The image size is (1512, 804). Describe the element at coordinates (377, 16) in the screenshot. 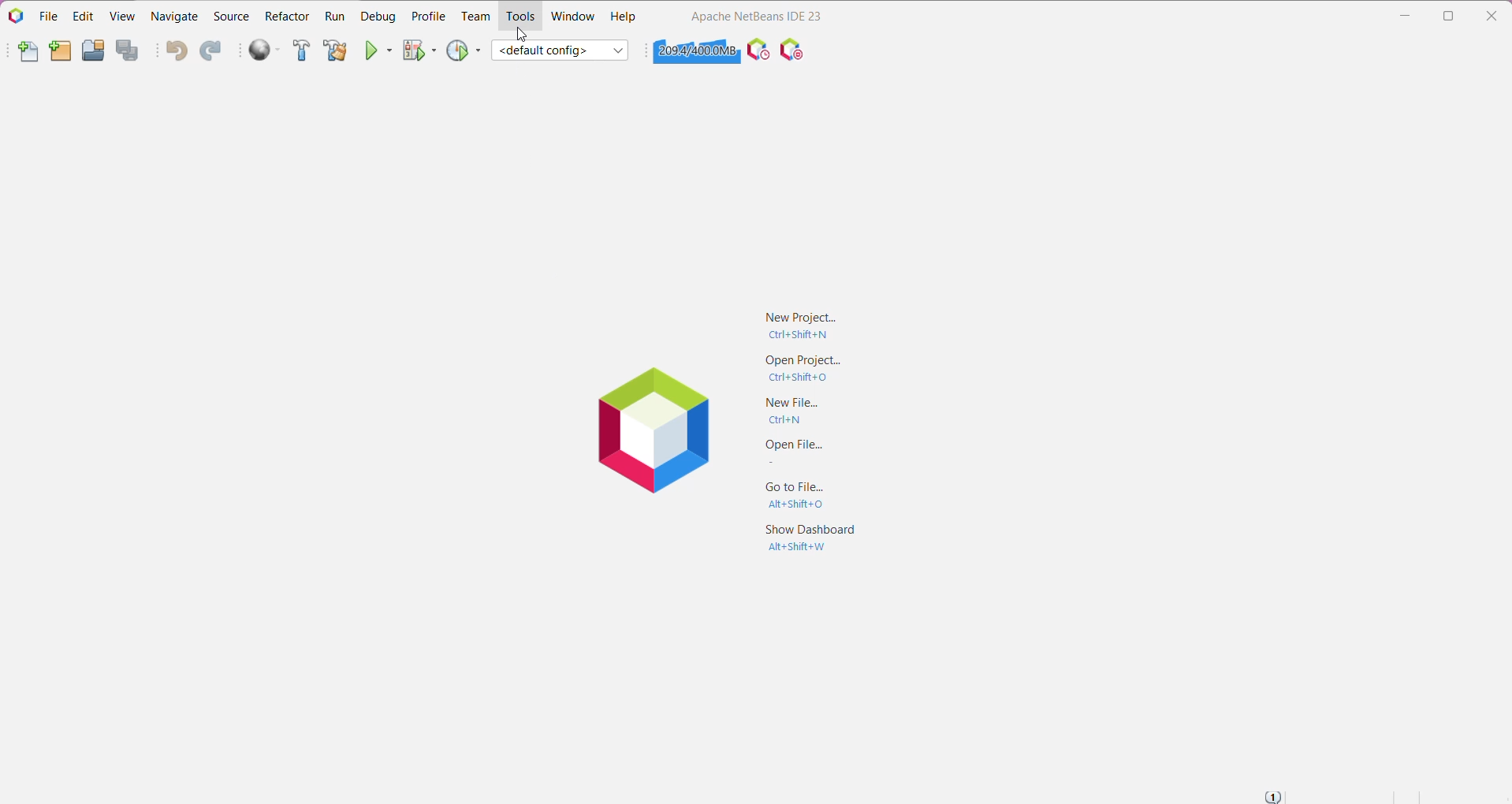

I see `Debug` at that location.